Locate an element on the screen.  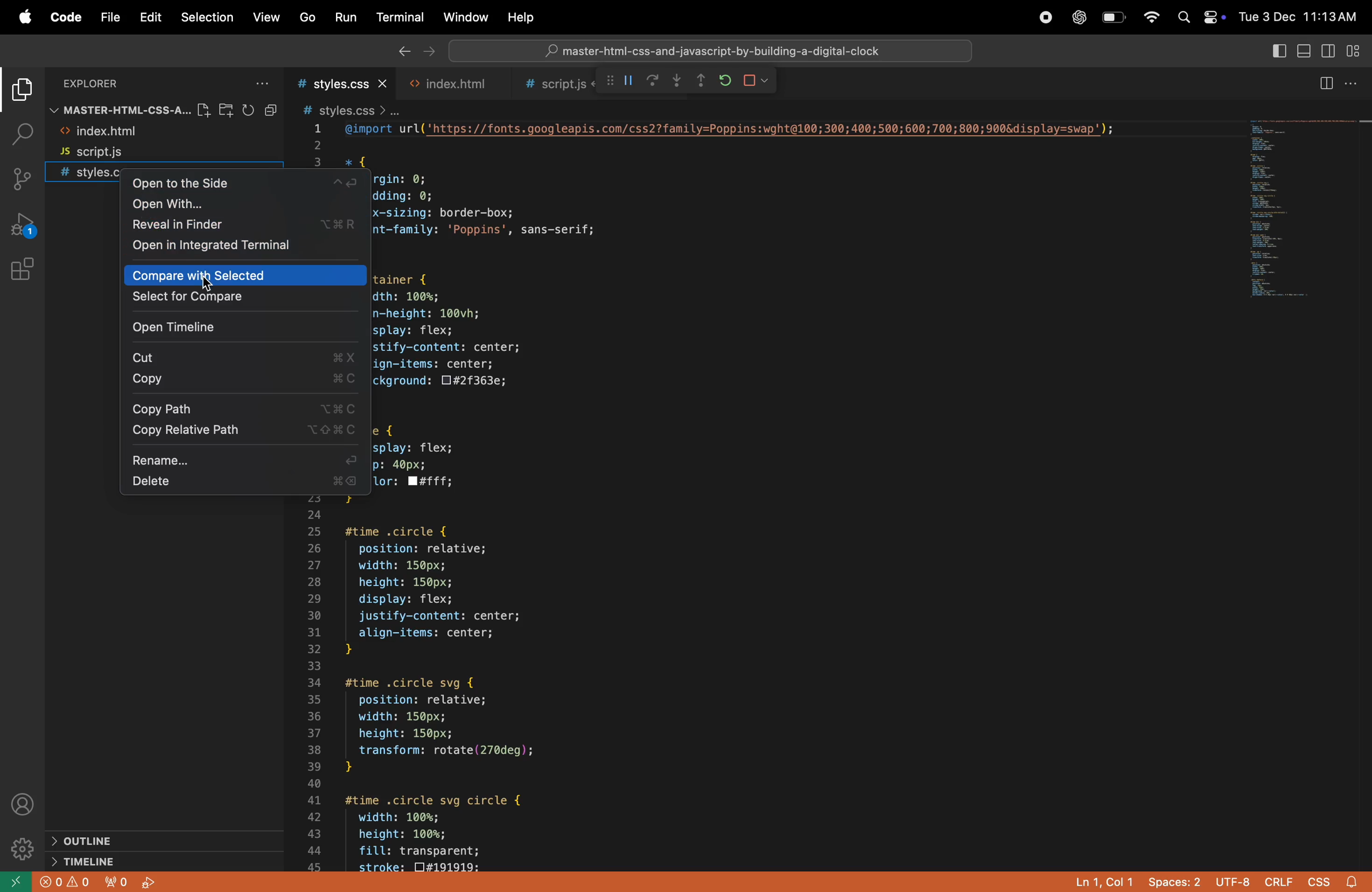
copy is located at coordinates (239, 380).